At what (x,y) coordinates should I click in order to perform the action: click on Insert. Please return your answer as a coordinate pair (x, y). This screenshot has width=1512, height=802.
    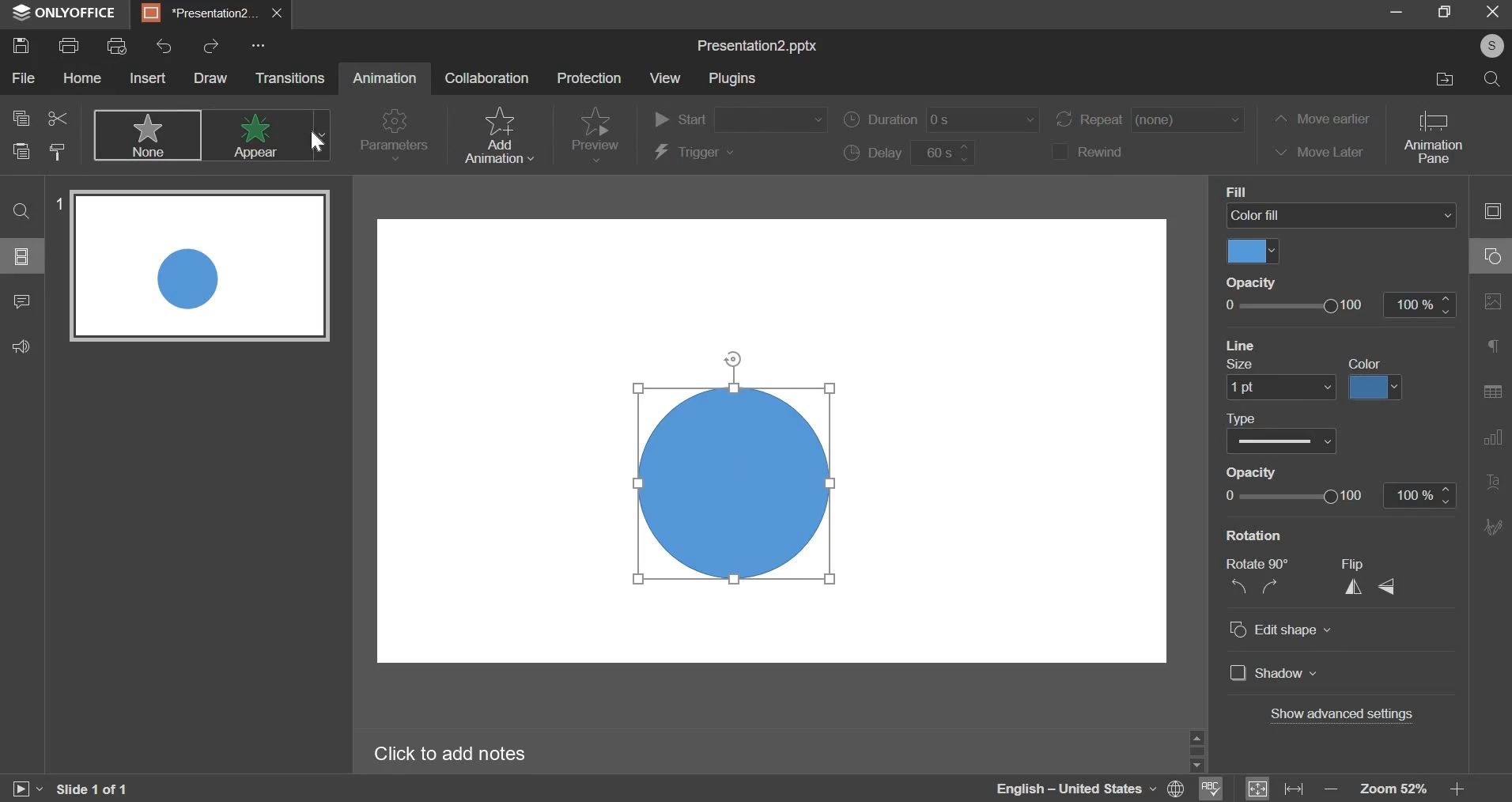
    Looking at the image, I should click on (148, 78).